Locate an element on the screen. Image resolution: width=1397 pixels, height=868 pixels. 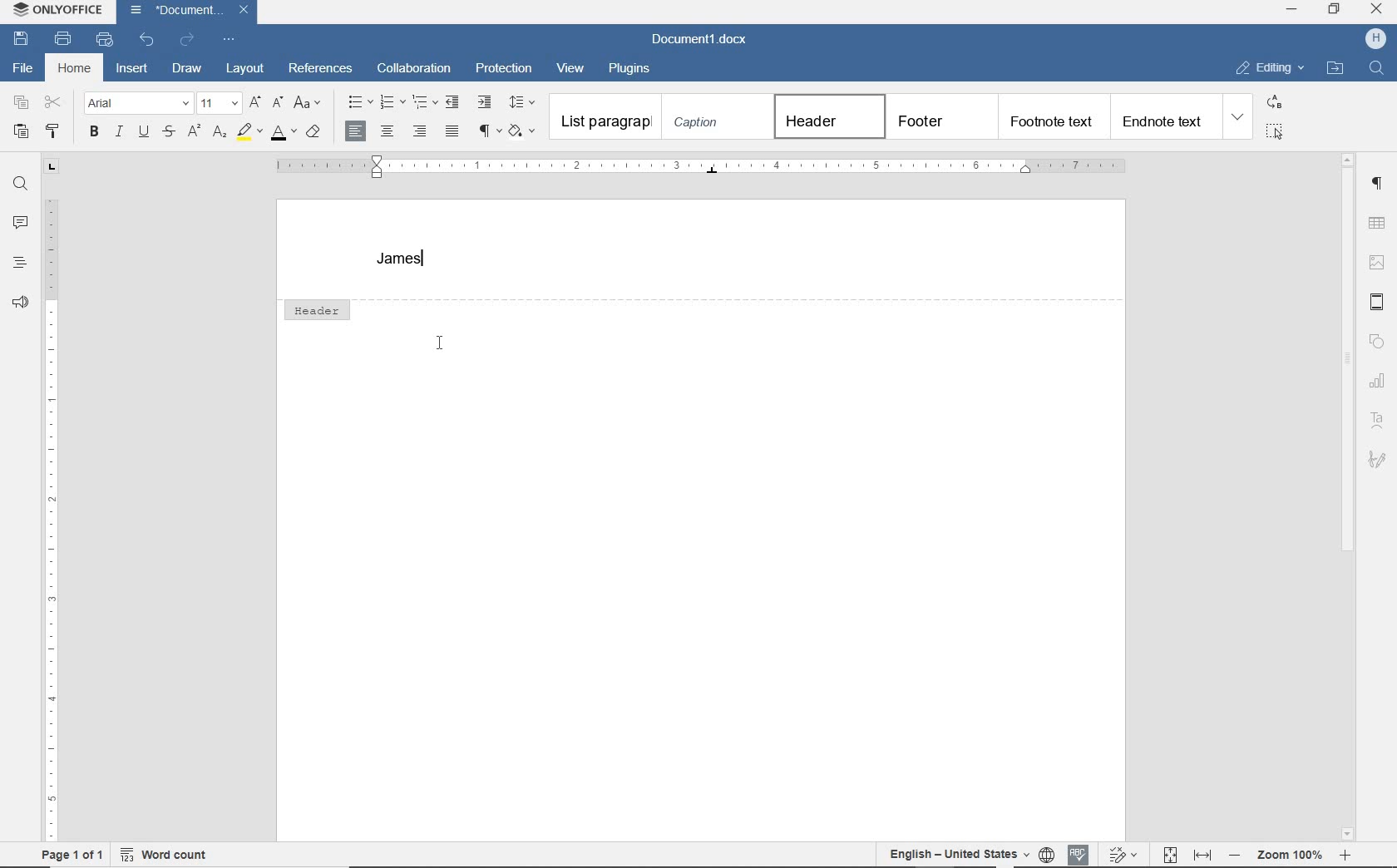
word count is located at coordinates (163, 857).